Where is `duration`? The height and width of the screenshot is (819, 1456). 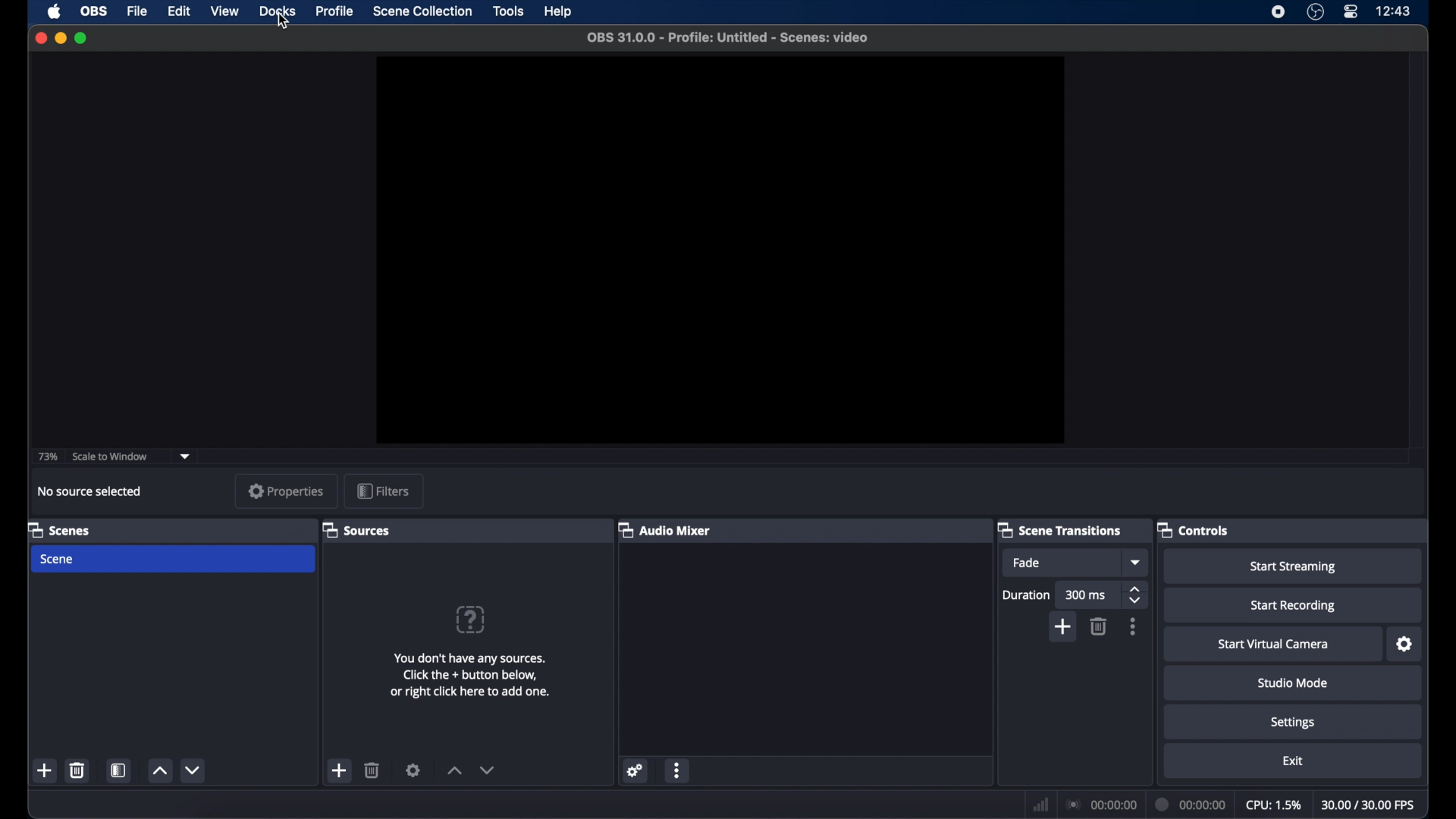
duration is located at coordinates (1191, 804).